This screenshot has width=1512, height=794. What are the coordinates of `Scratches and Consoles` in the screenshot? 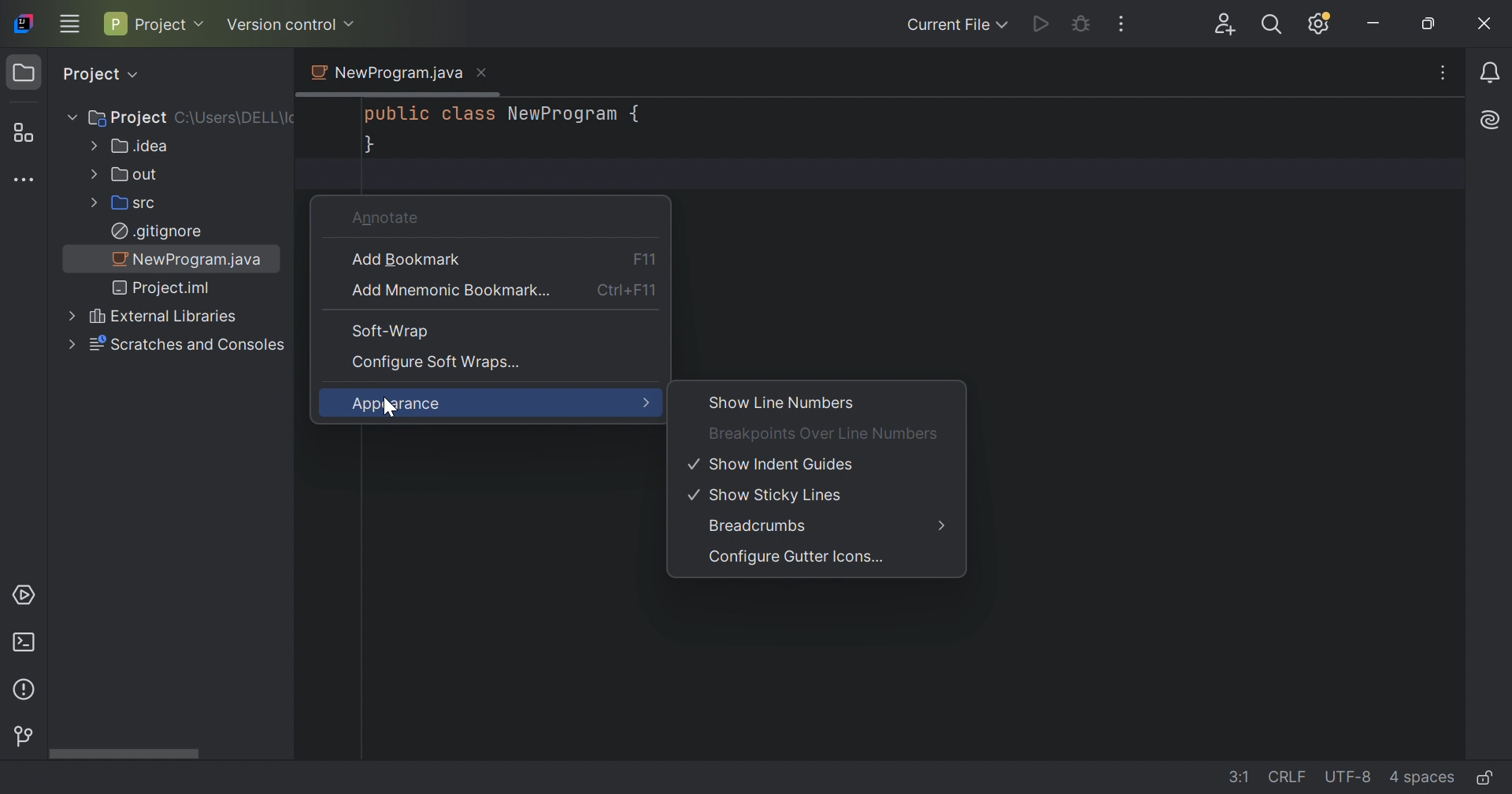 It's located at (190, 345).